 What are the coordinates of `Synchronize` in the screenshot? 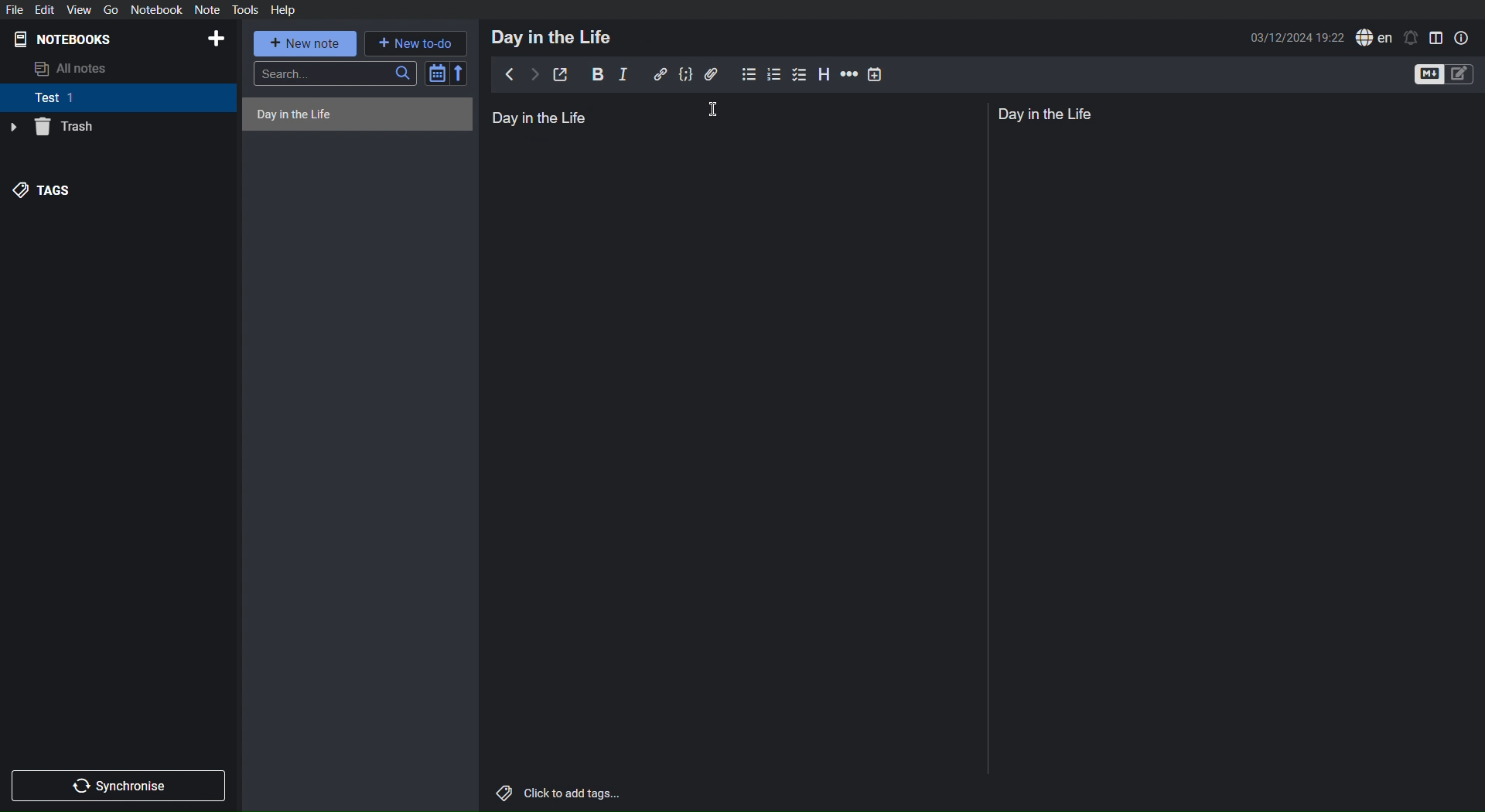 It's located at (117, 786).